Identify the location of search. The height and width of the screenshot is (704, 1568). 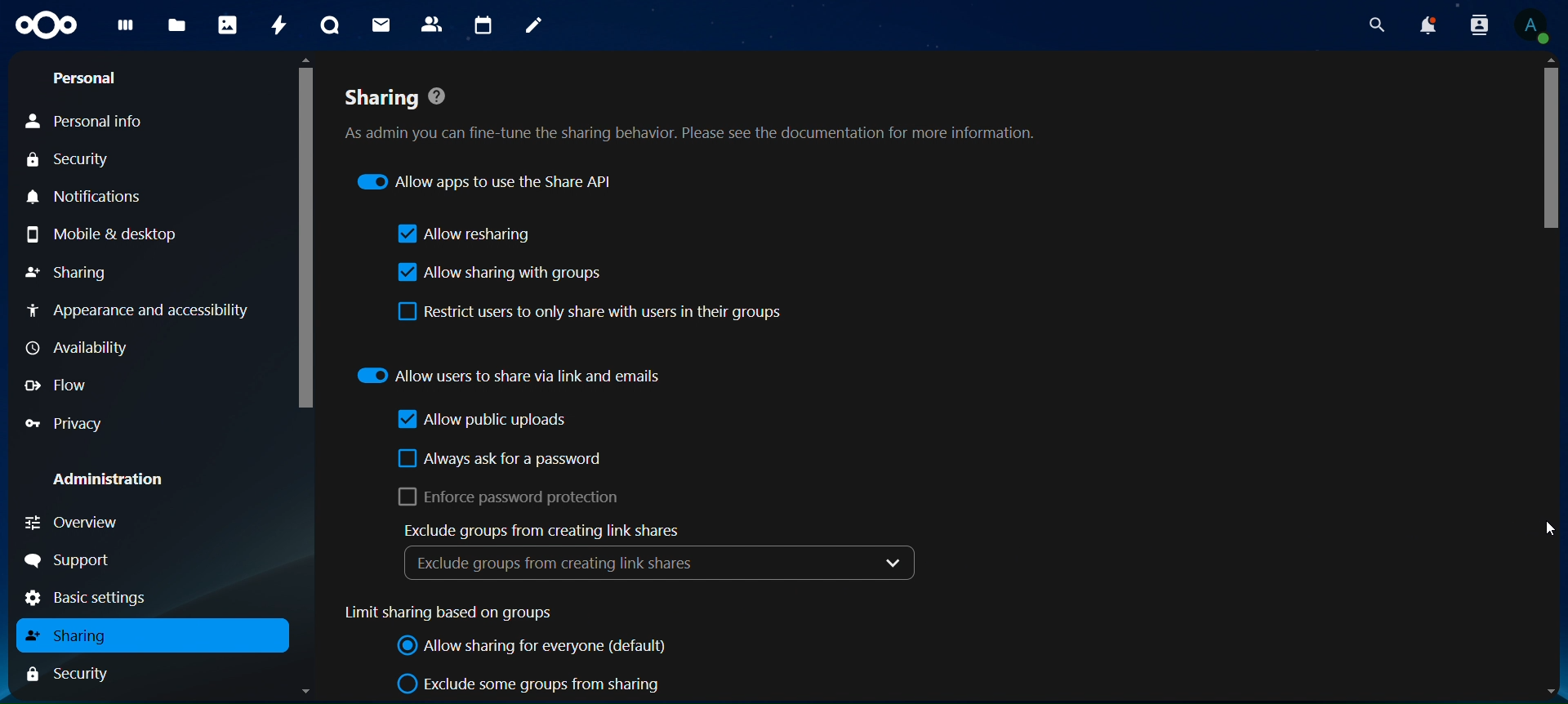
(1374, 22).